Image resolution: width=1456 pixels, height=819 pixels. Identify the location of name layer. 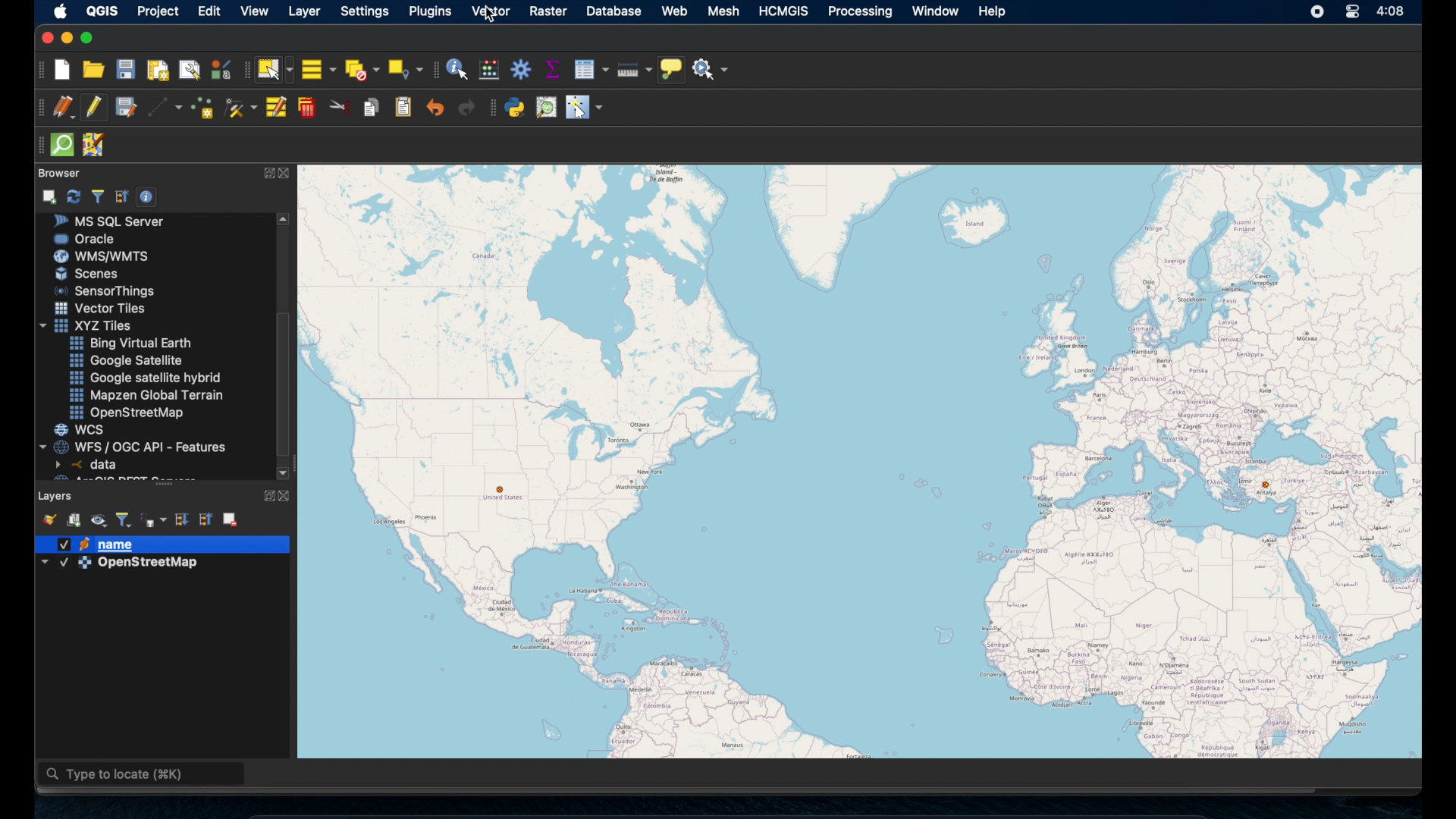
(102, 544).